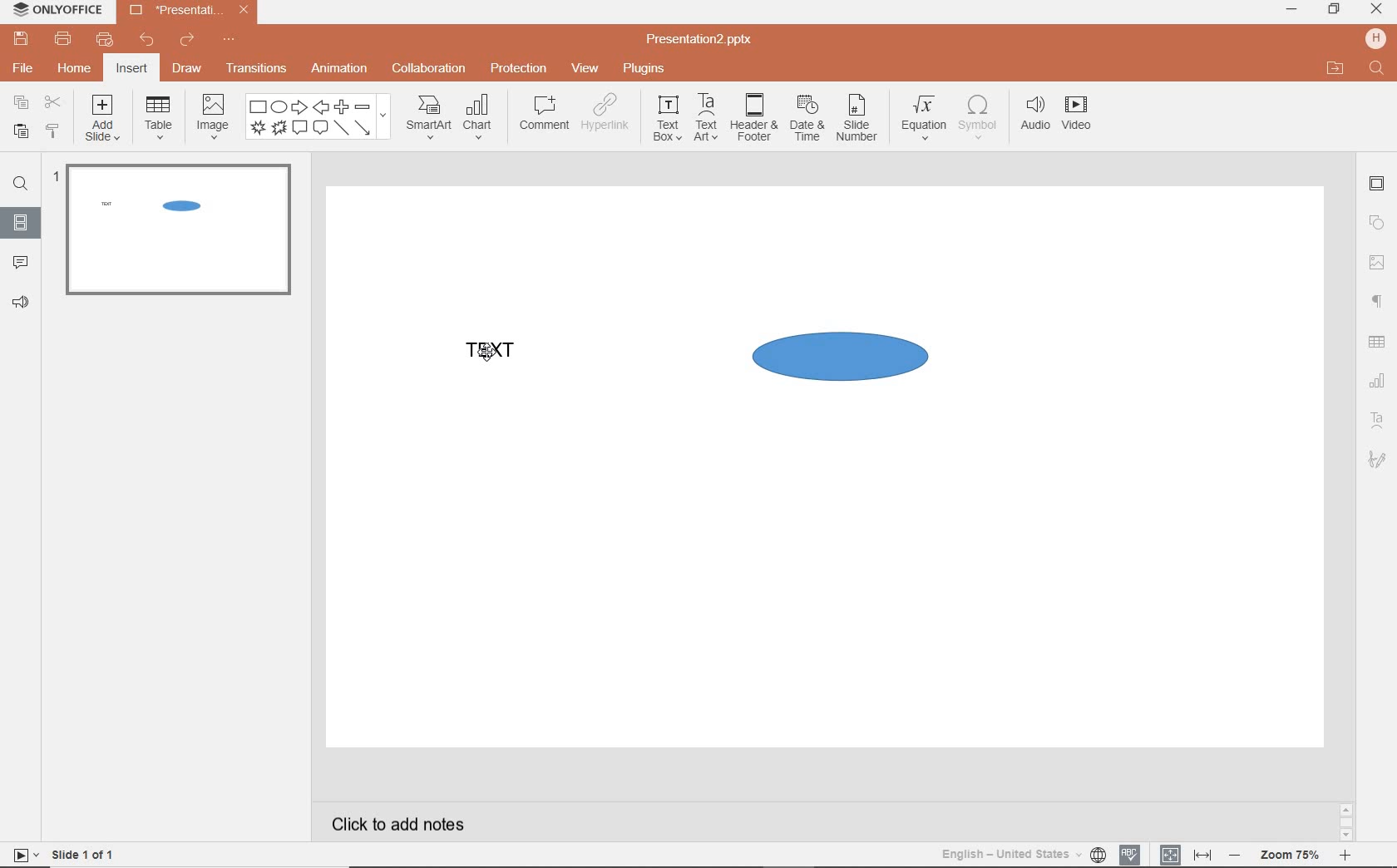 This screenshot has width=1397, height=868. Describe the element at coordinates (18, 38) in the screenshot. I see `save` at that location.